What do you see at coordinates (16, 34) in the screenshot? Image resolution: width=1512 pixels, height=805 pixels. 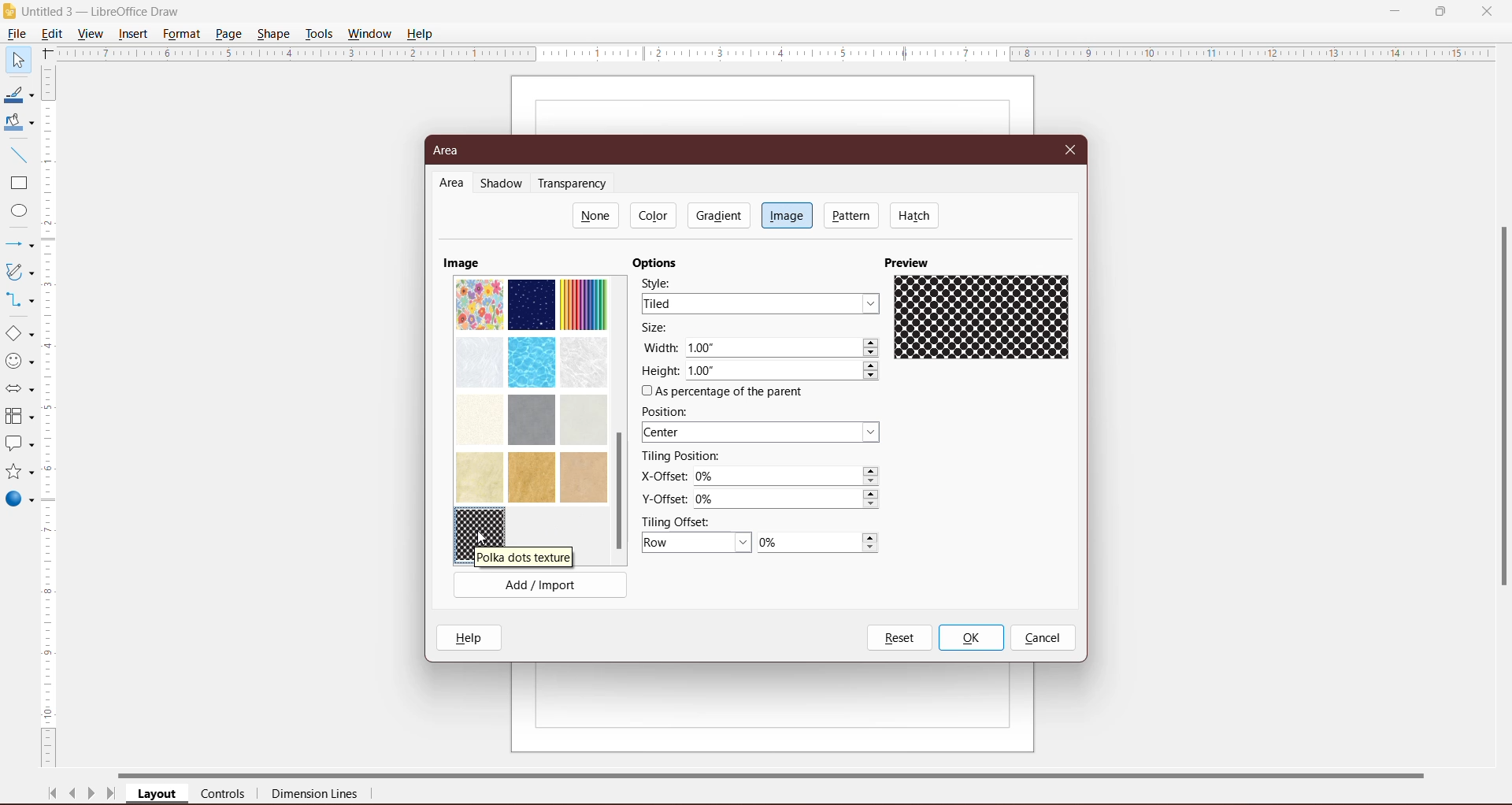 I see `File` at bounding box center [16, 34].